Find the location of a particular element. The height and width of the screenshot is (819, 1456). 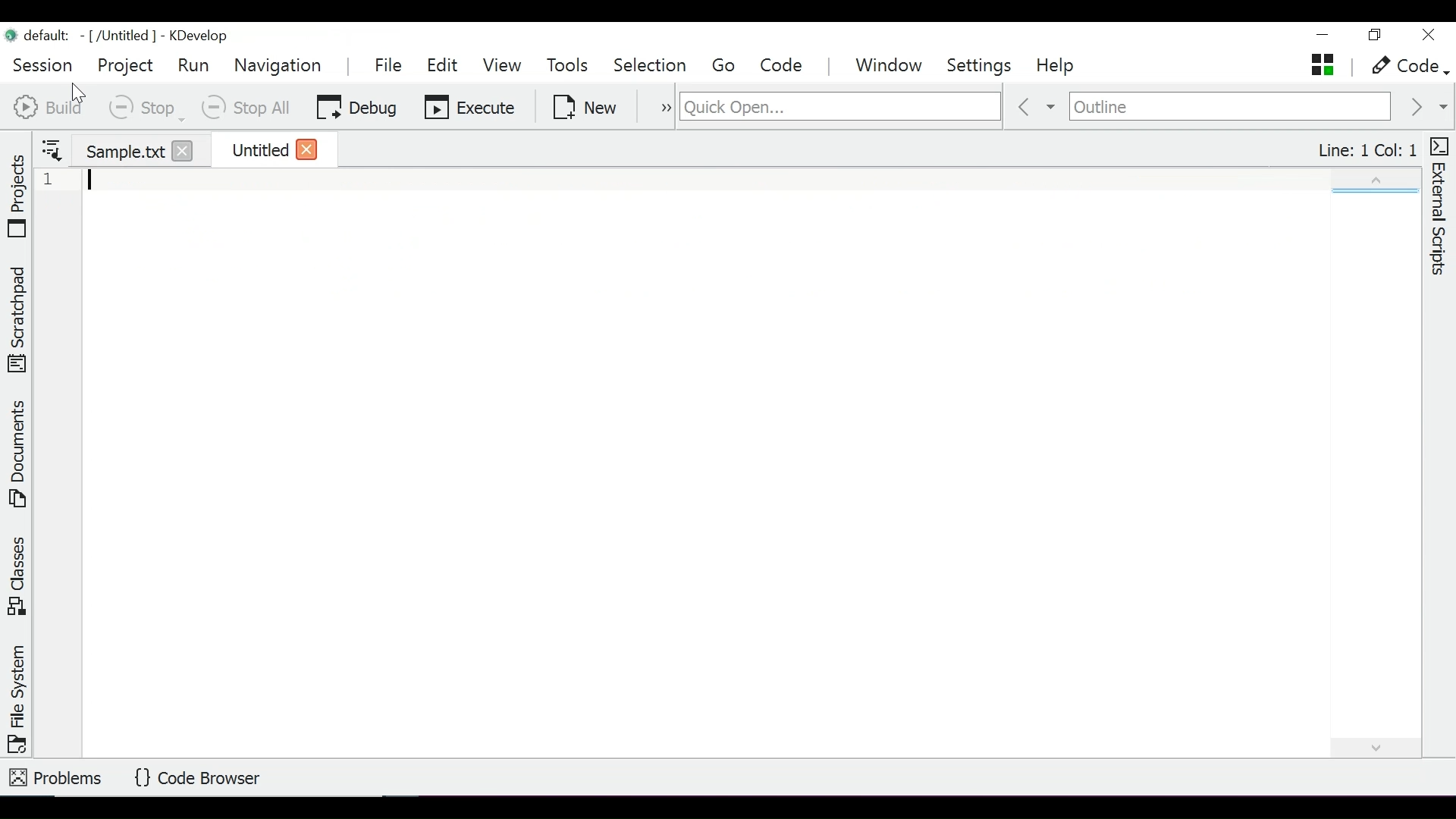

Search for files, classes, functions and more is located at coordinates (840, 108).